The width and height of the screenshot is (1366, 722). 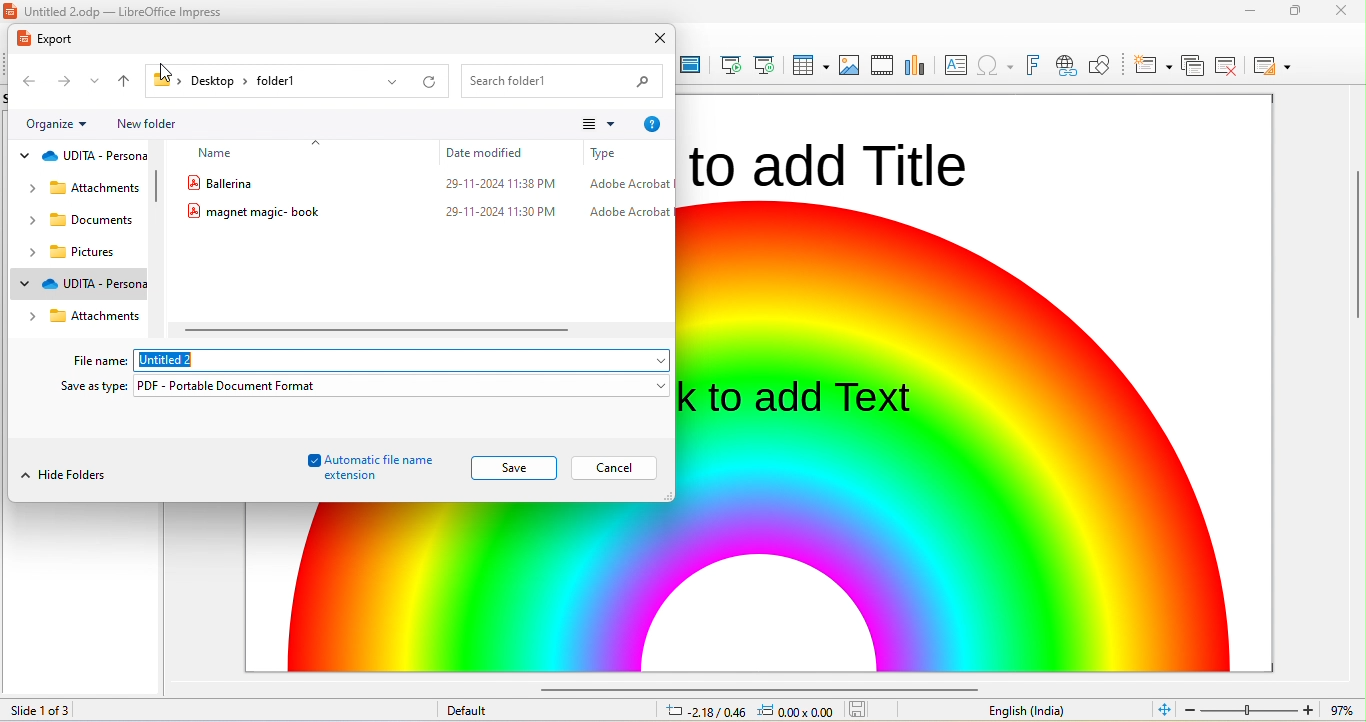 What do you see at coordinates (467, 711) in the screenshot?
I see `default` at bounding box center [467, 711].